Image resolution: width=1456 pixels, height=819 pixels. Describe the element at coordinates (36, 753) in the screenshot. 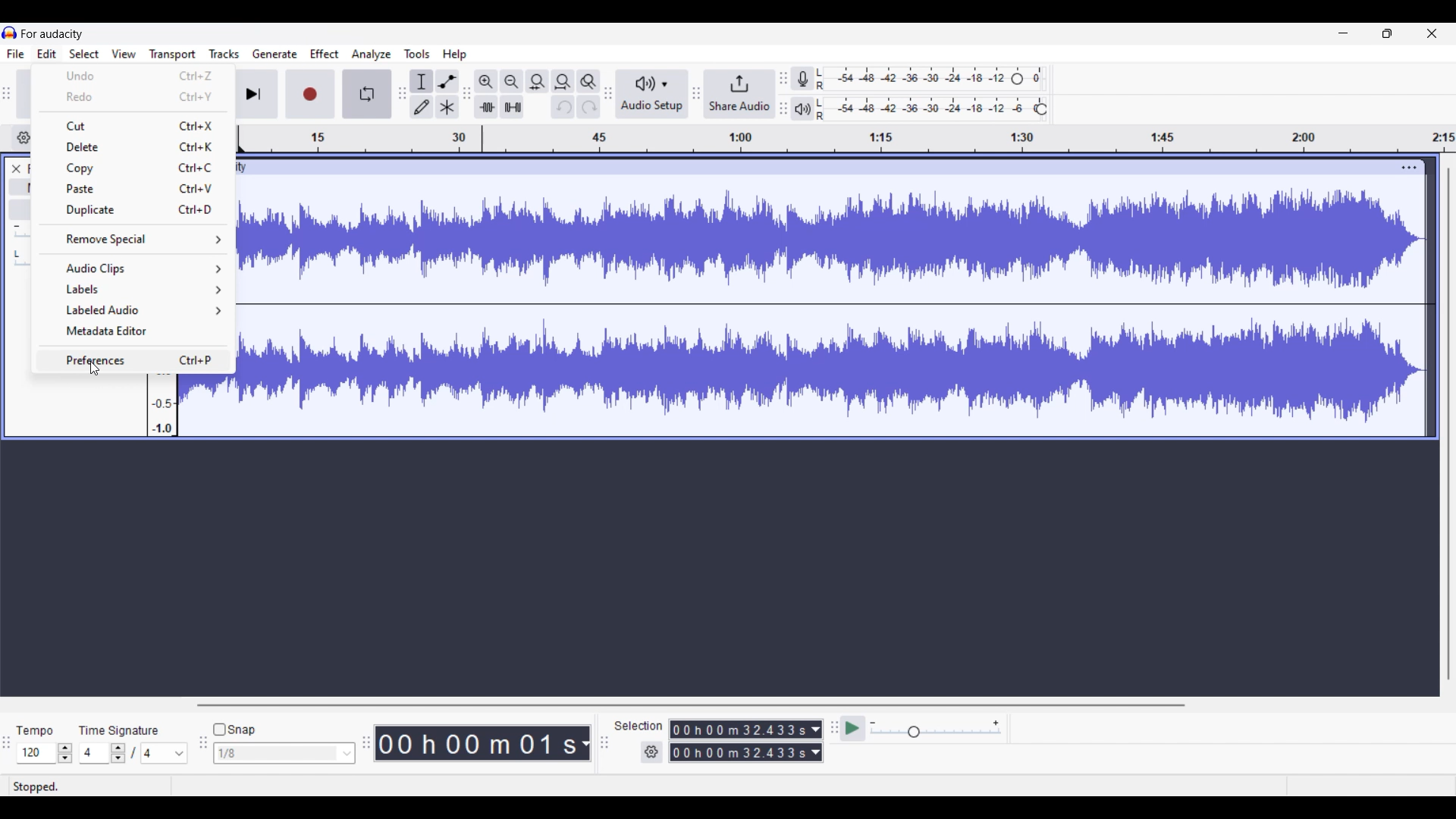

I see `Input tempo` at that location.